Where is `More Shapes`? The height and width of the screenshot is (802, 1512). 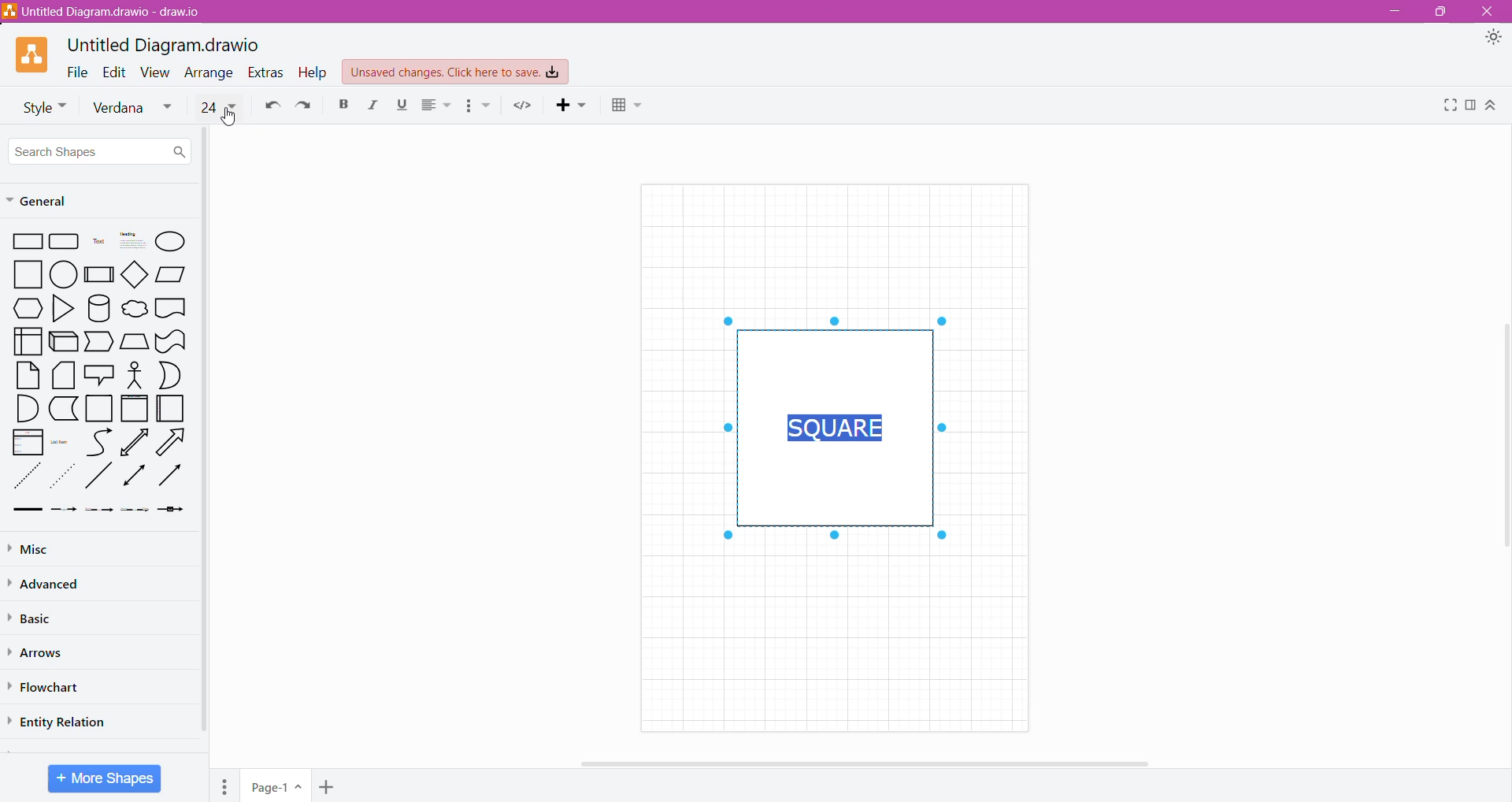
More Shapes is located at coordinates (104, 778).